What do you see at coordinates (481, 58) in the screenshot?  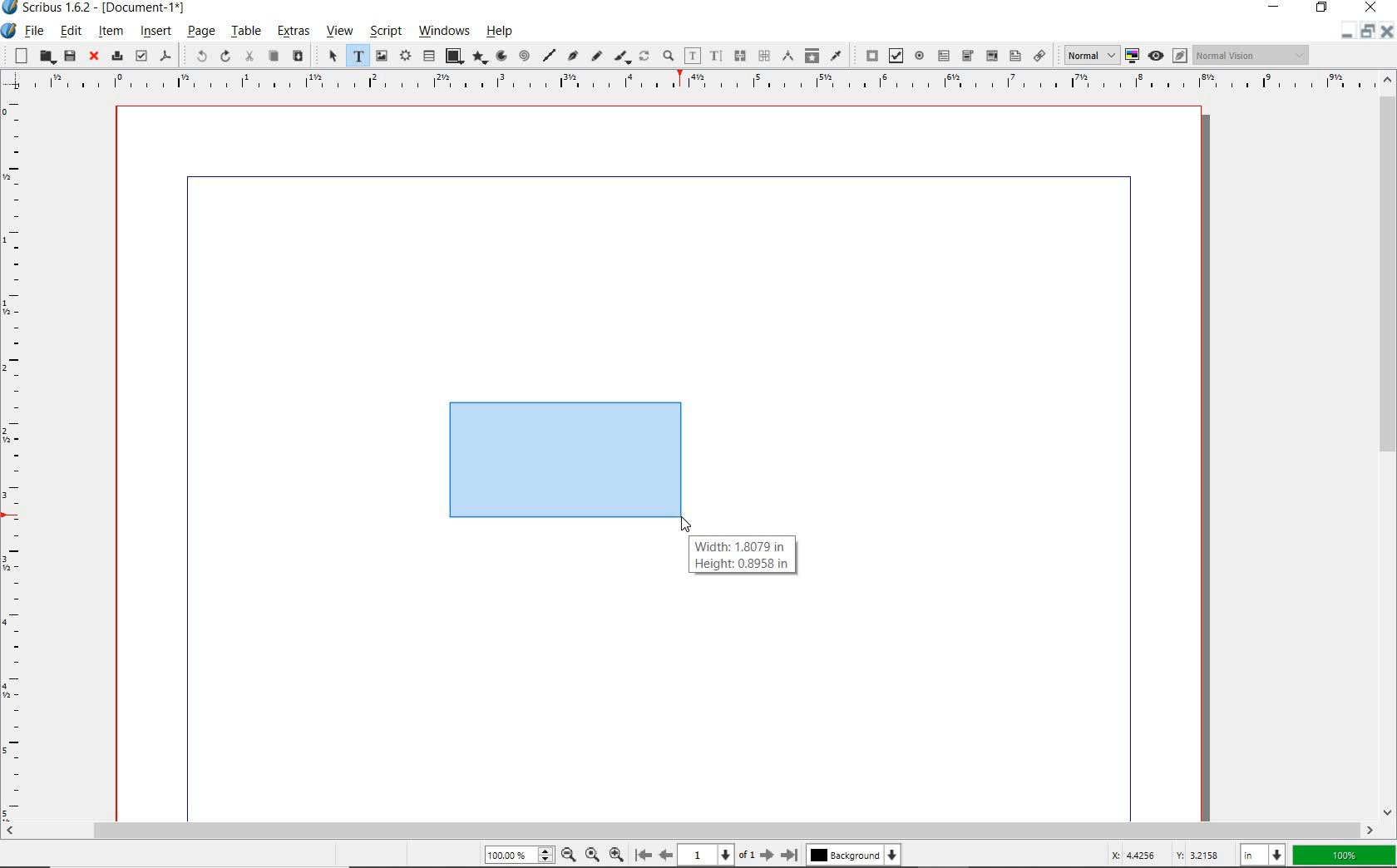 I see `polygon` at bounding box center [481, 58].